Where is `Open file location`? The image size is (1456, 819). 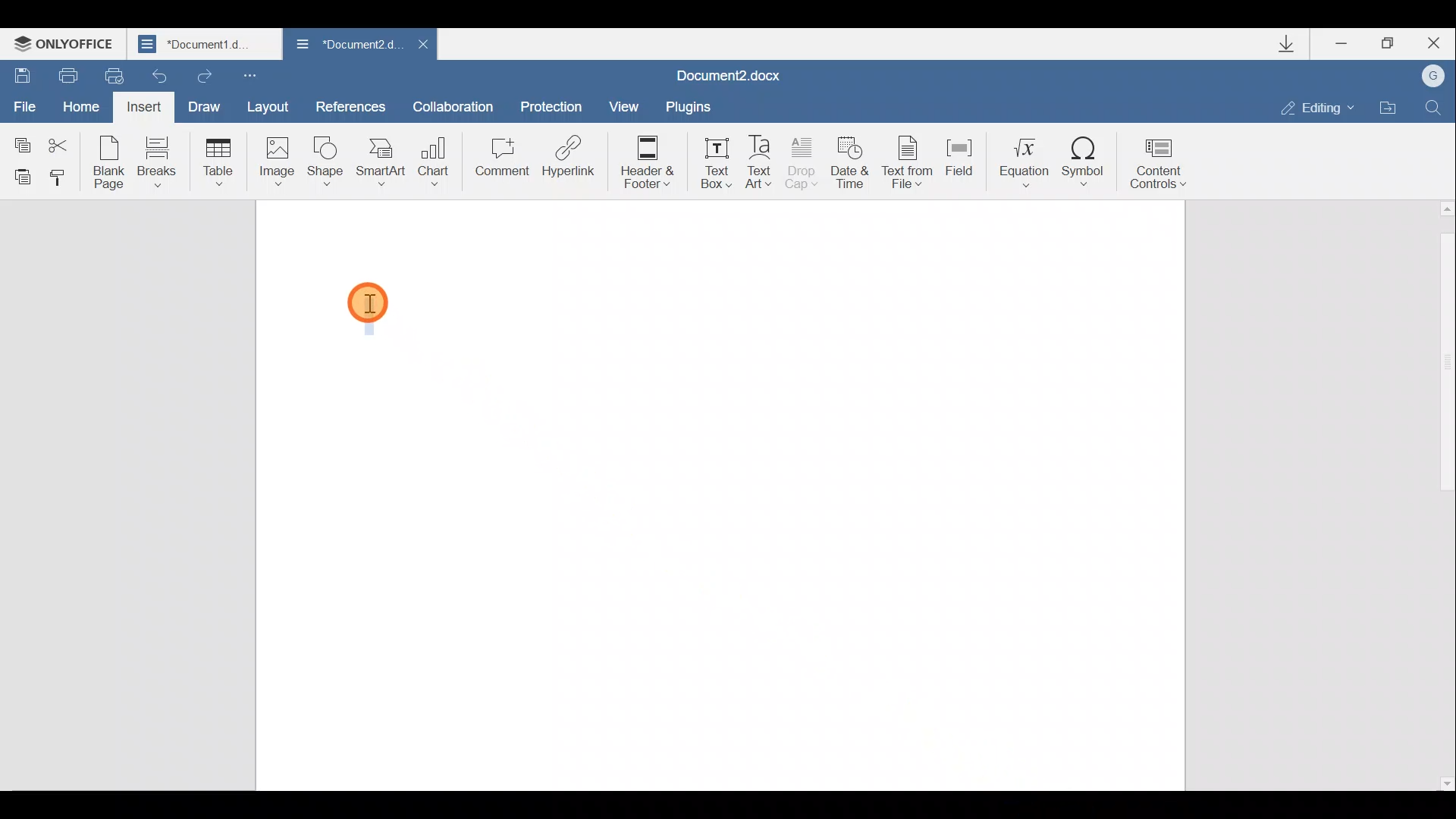 Open file location is located at coordinates (1389, 108).